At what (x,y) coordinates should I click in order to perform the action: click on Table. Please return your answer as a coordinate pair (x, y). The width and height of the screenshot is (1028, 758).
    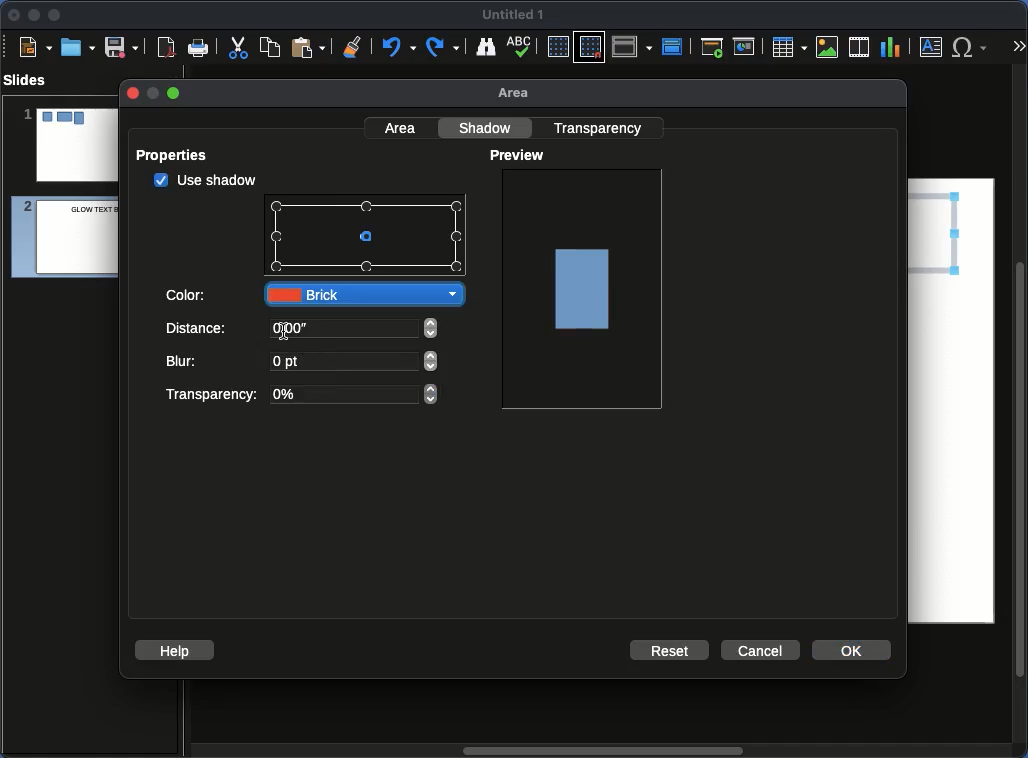
    Looking at the image, I should click on (788, 46).